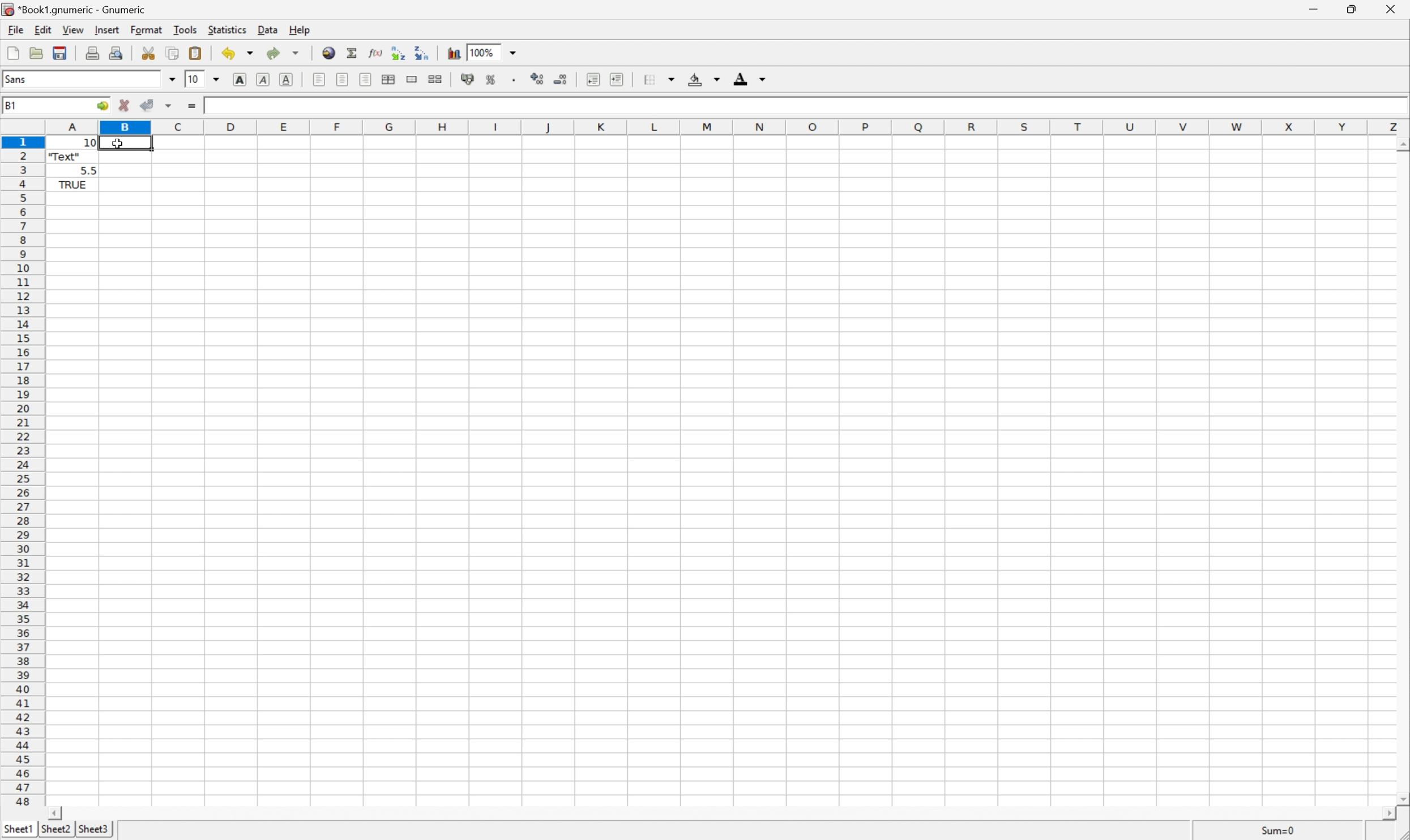 The width and height of the screenshot is (1410, 840). Describe the element at coordinates (238, 52) in the screenshot. I see `Undo` at that location.